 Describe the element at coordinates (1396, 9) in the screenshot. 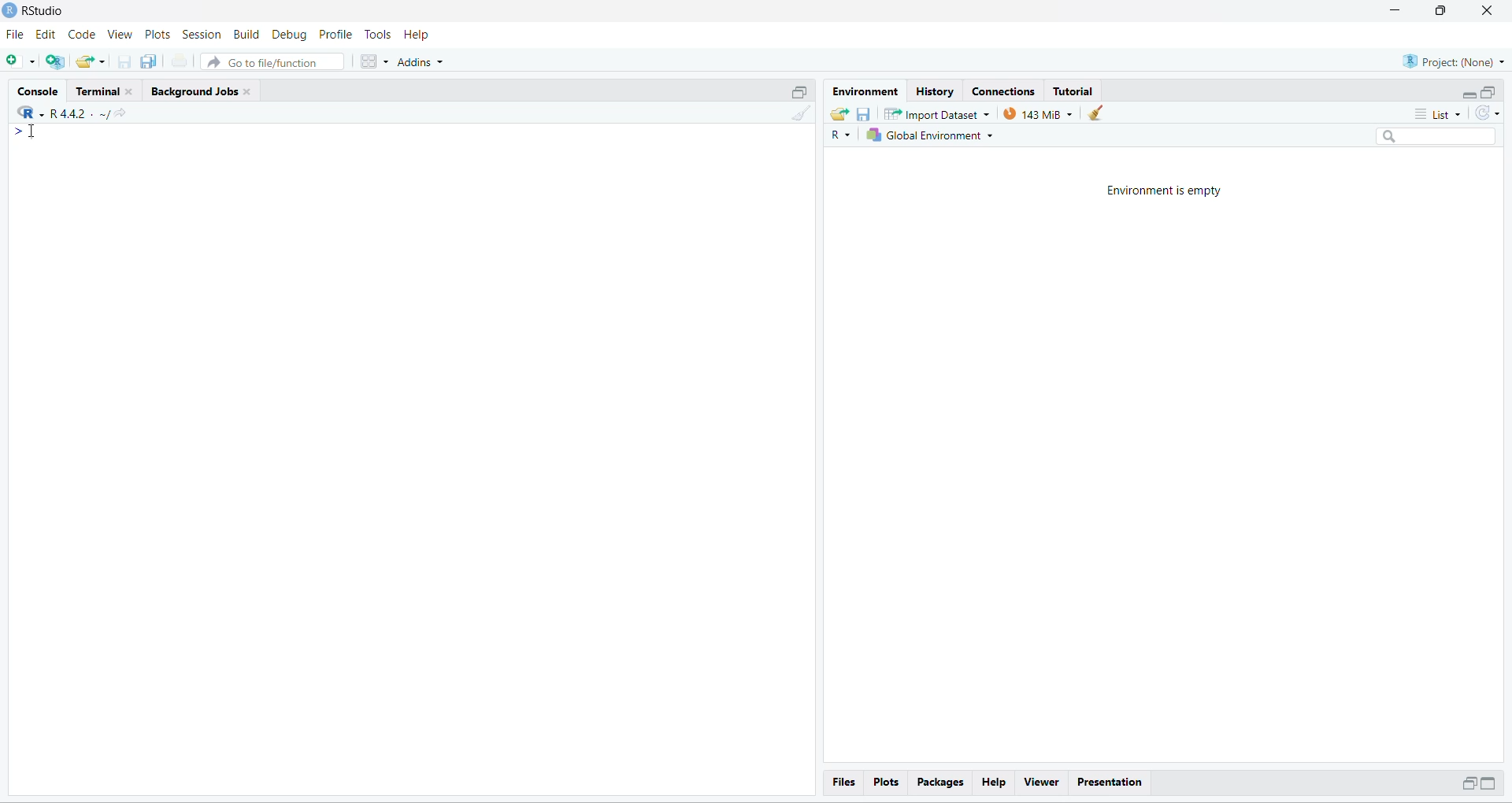

I see `minimise` at that location.